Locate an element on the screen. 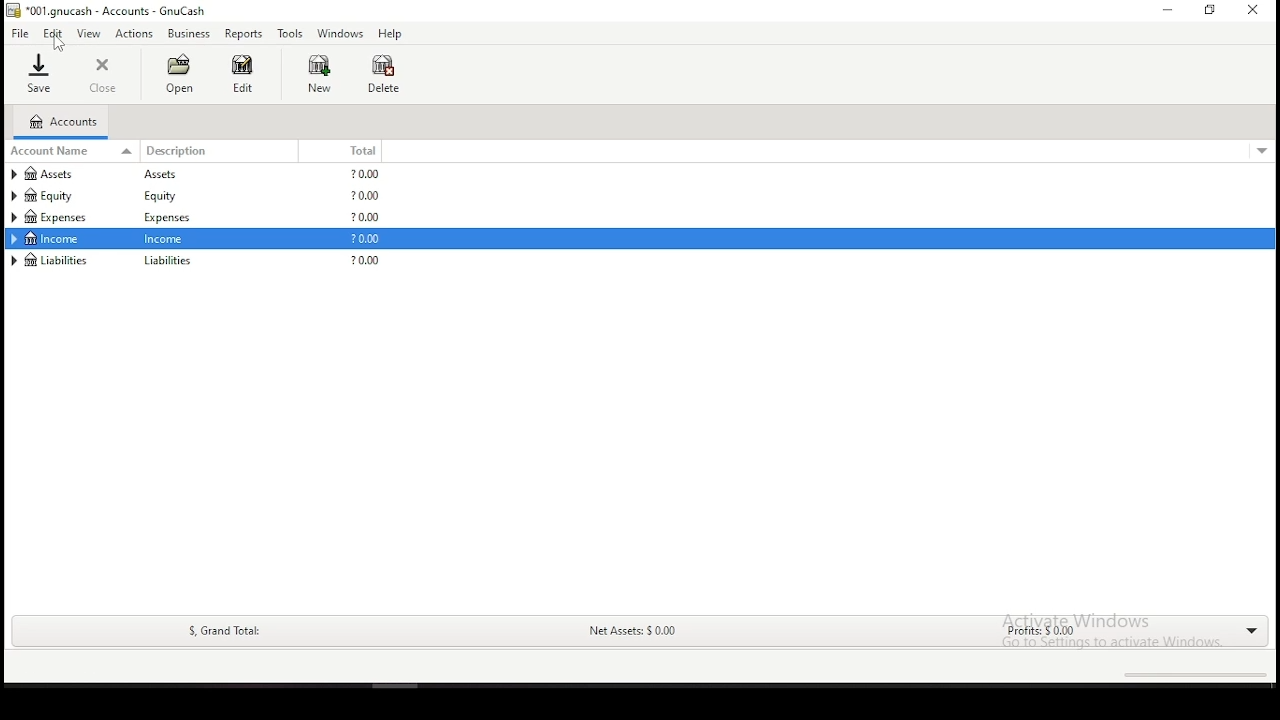 The width and height of the screenshot is (1280, 720). assets is located at coordinates (170, 175).